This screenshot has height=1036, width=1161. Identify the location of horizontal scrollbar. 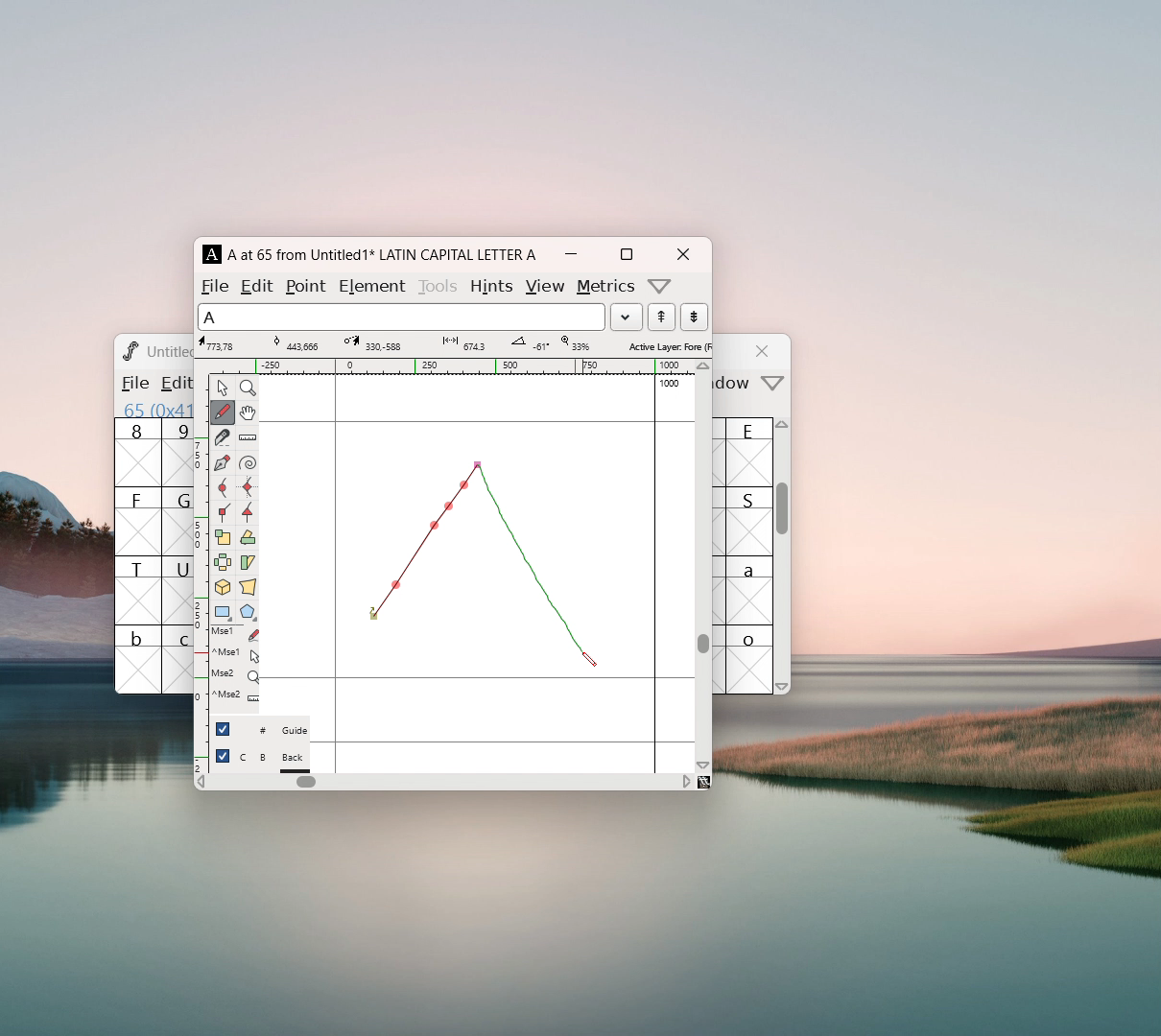
(306, 782).